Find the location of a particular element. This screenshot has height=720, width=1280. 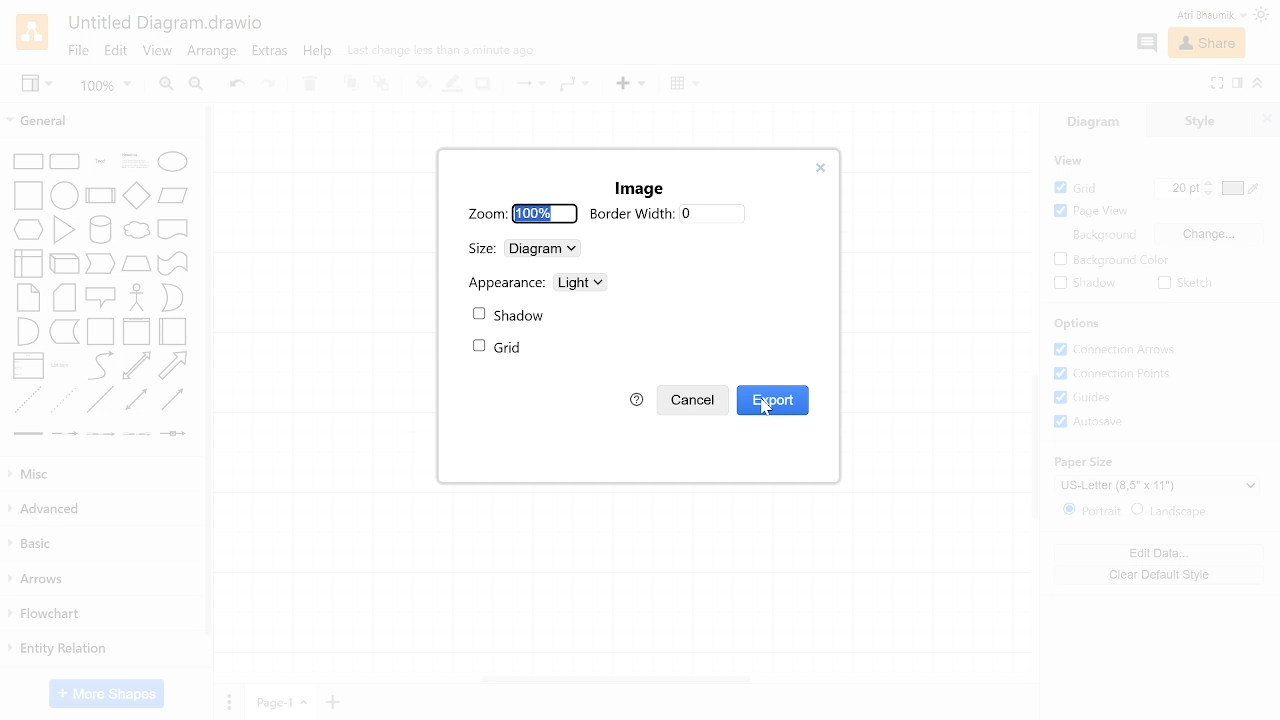

help is located at coordinates (639, 400).